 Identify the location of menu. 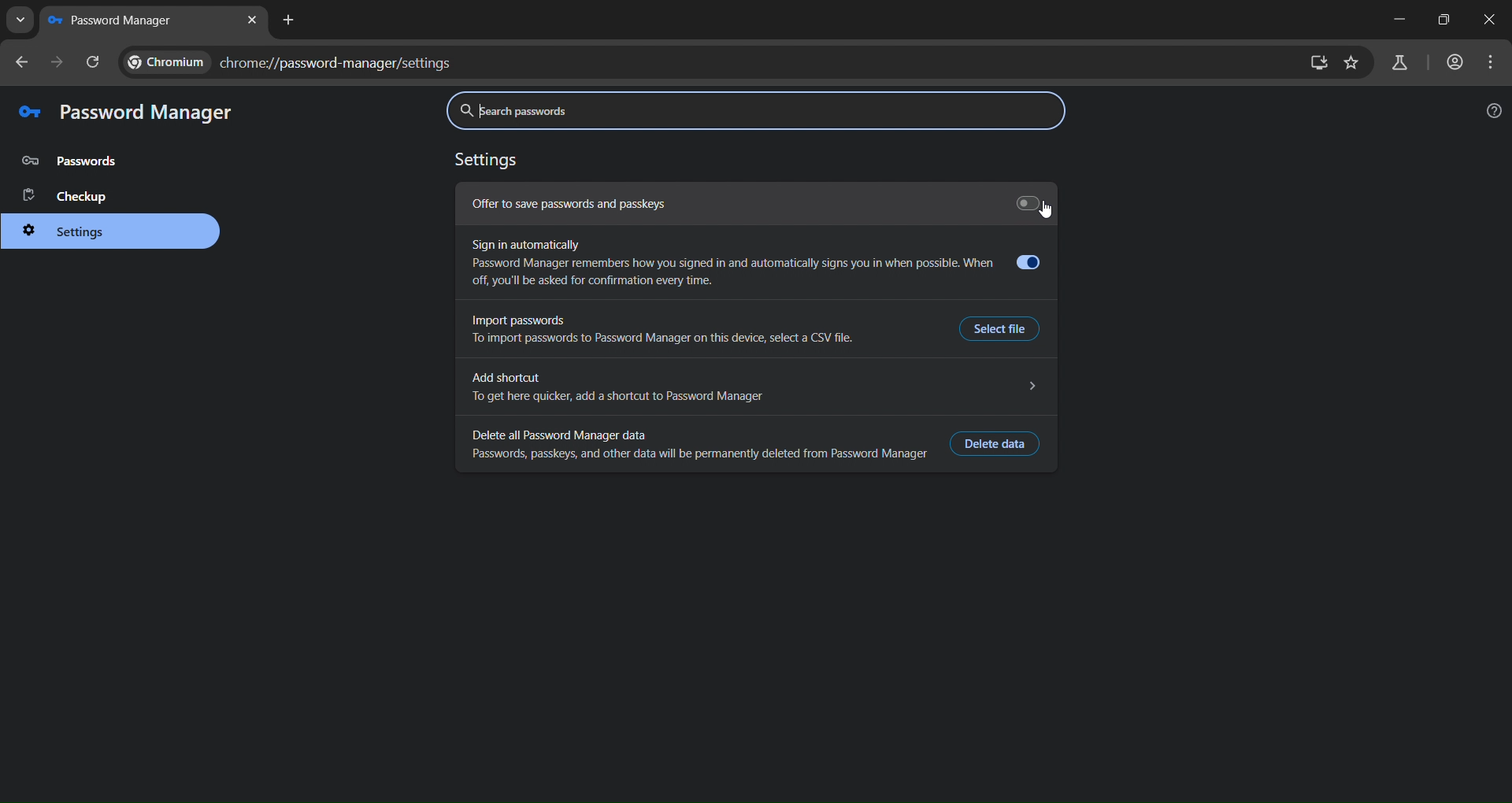
(1495, 61).